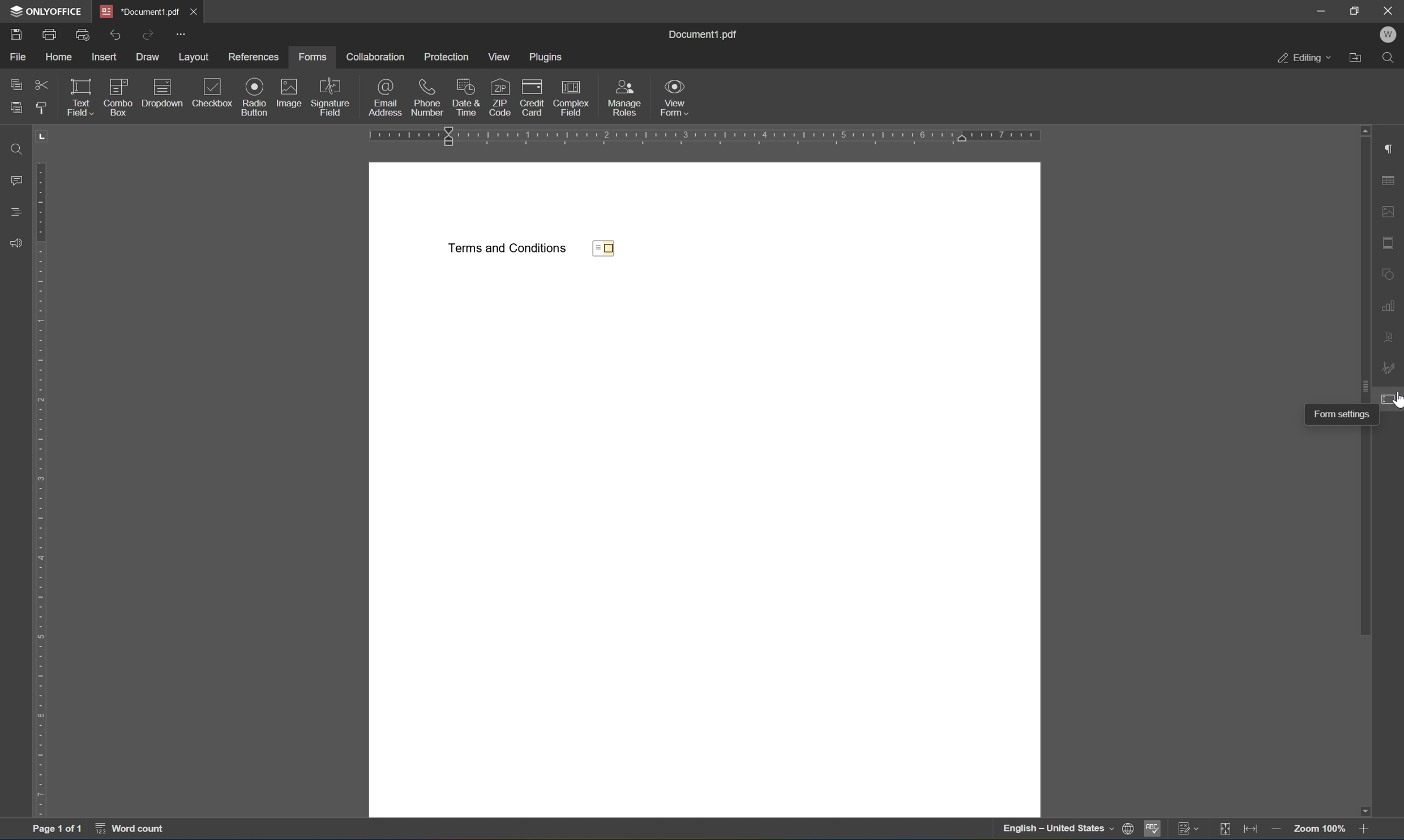  What do you see at coordinates (19, 109) in the screenshot?
I see `paste` at bounding box center [19, 109].